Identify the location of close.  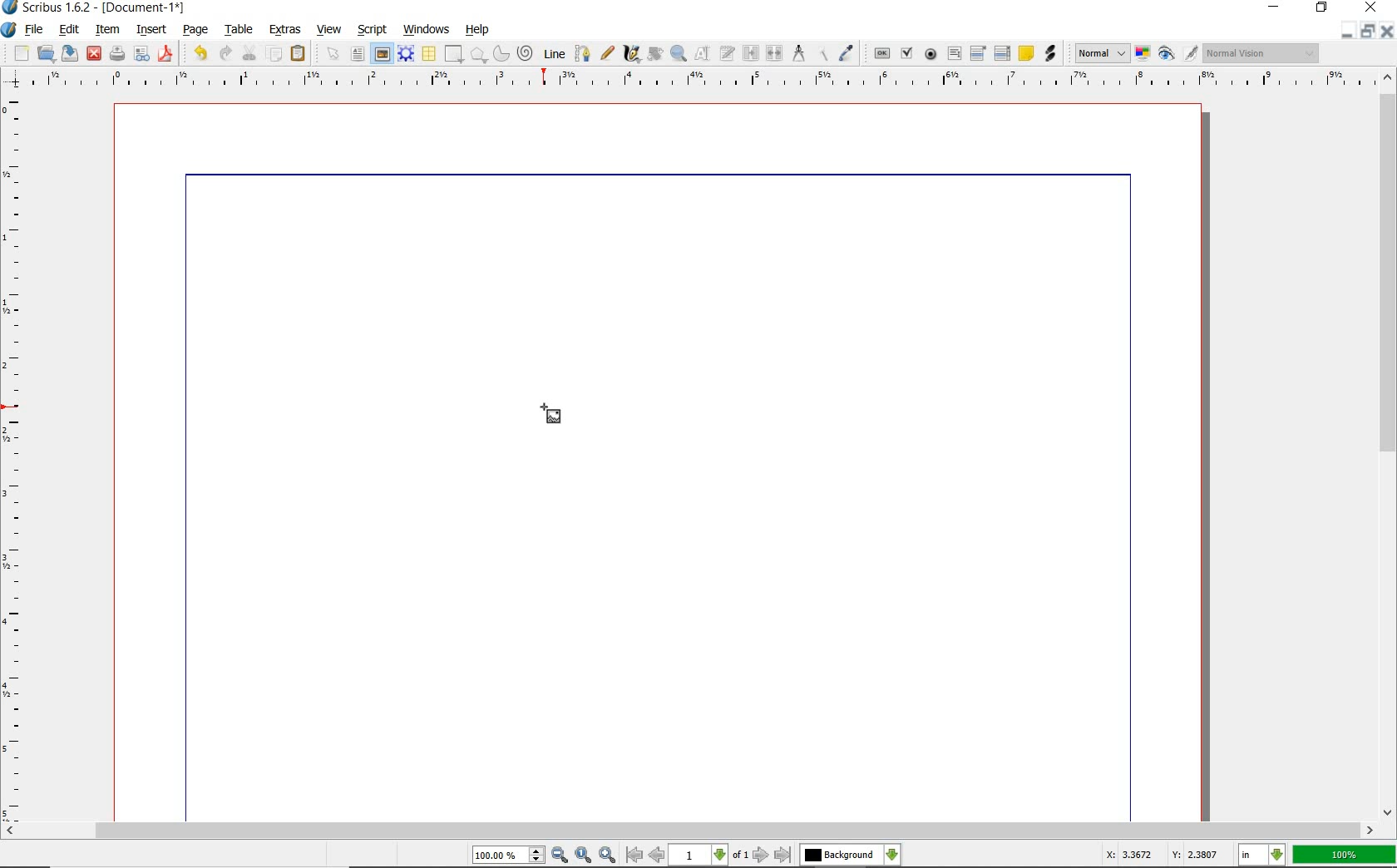
(94, 53).